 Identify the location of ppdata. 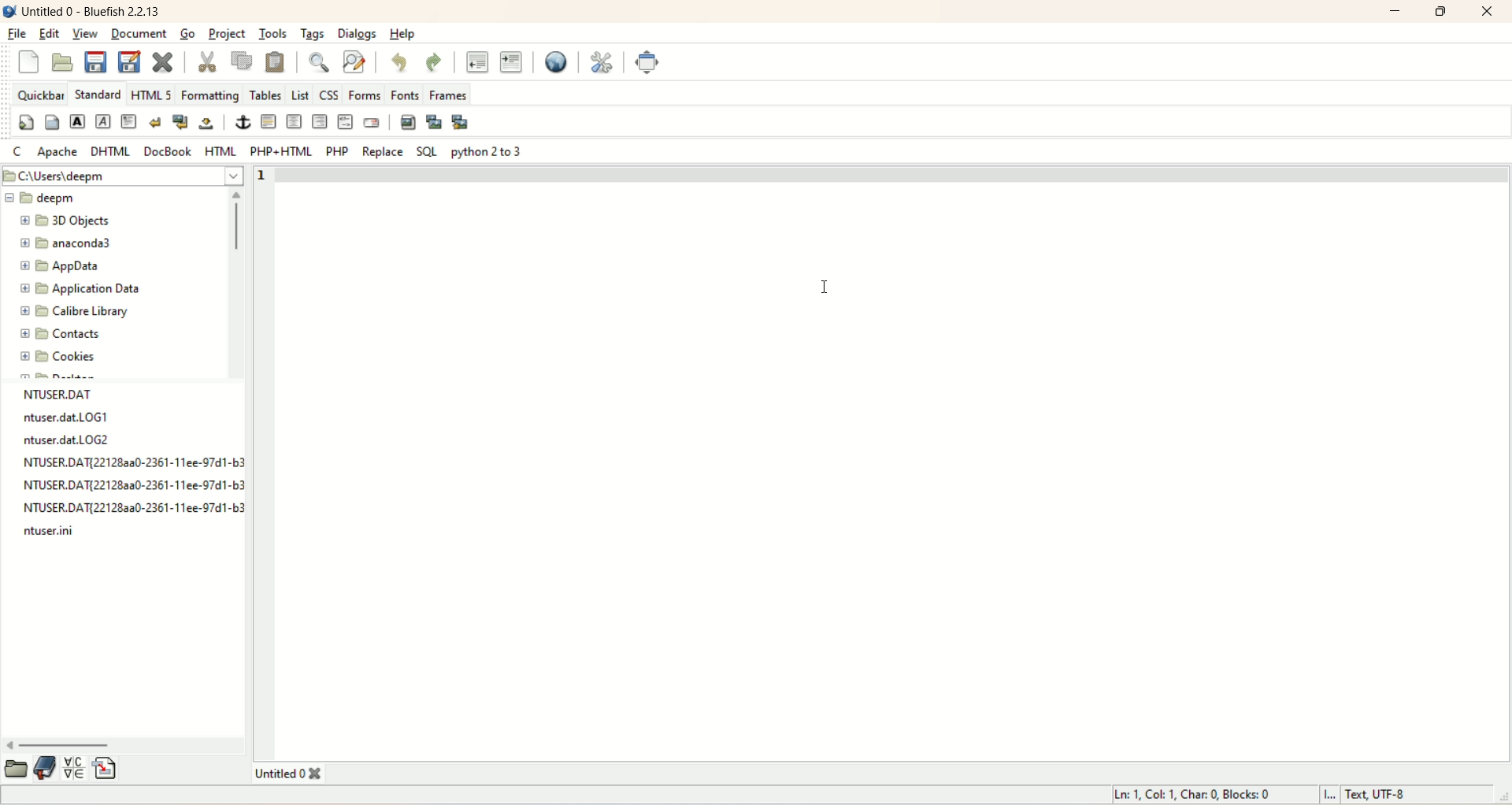
(58, 268).